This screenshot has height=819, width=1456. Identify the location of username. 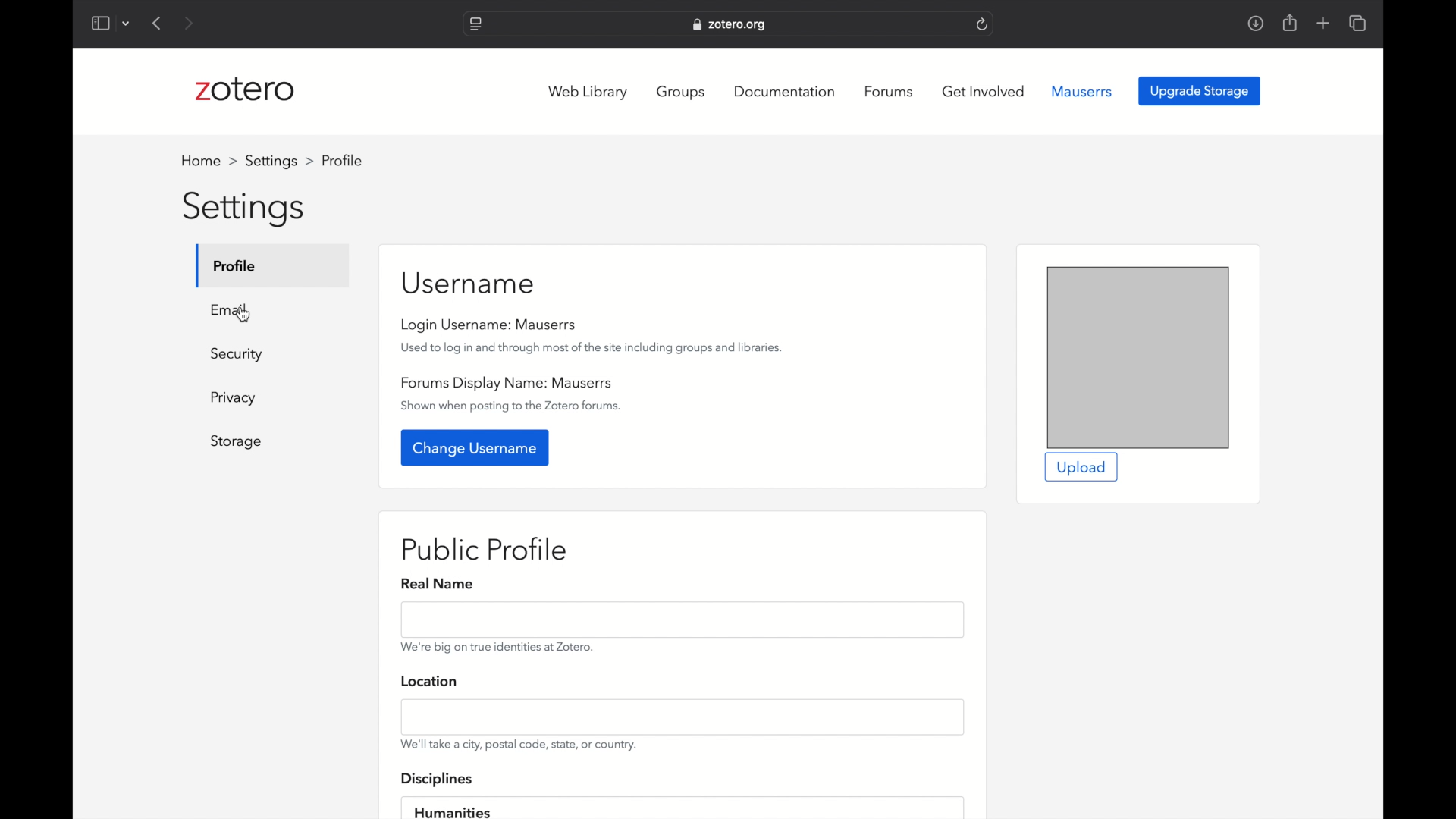
(460, 281).